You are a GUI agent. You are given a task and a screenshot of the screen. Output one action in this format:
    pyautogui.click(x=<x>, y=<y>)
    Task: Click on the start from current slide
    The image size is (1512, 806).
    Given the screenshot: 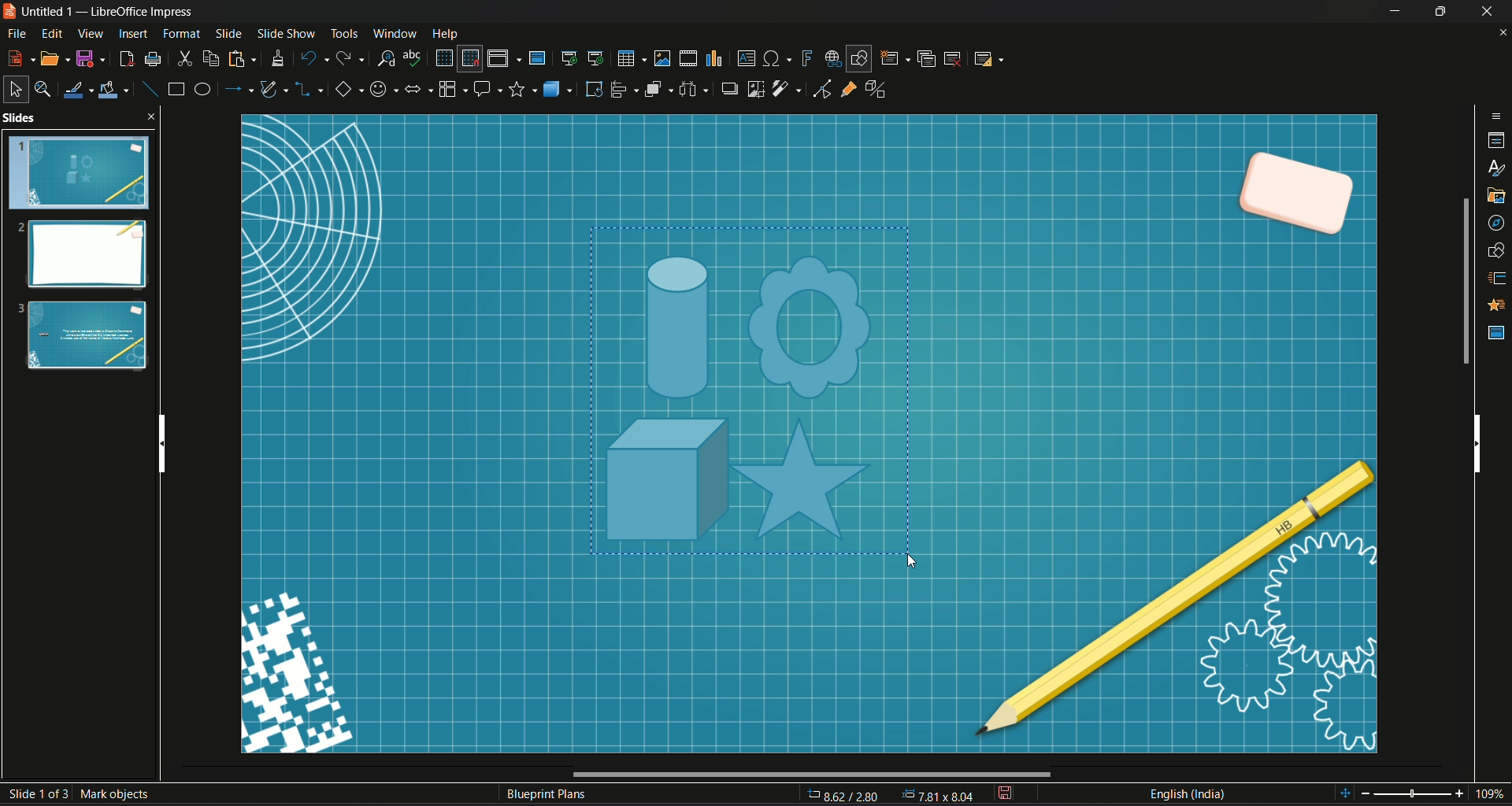 What is the action you would take?
    pyautogui.click(x=597, y=58)
    